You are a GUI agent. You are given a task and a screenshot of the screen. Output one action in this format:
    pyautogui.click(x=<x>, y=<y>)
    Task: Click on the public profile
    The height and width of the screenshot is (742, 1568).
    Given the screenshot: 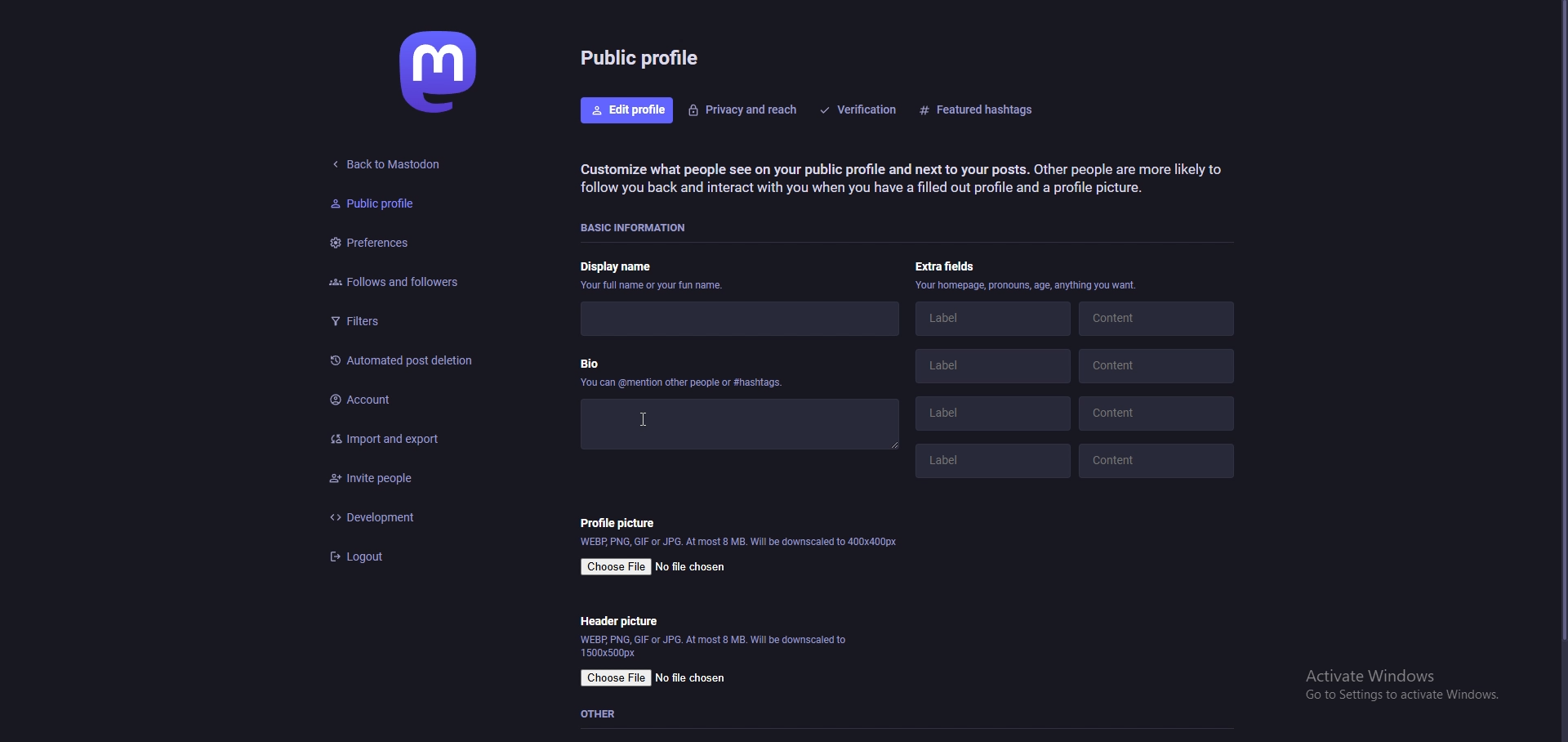 What is the action you would take?
    pyautogui.click(x=643, y=56)
    